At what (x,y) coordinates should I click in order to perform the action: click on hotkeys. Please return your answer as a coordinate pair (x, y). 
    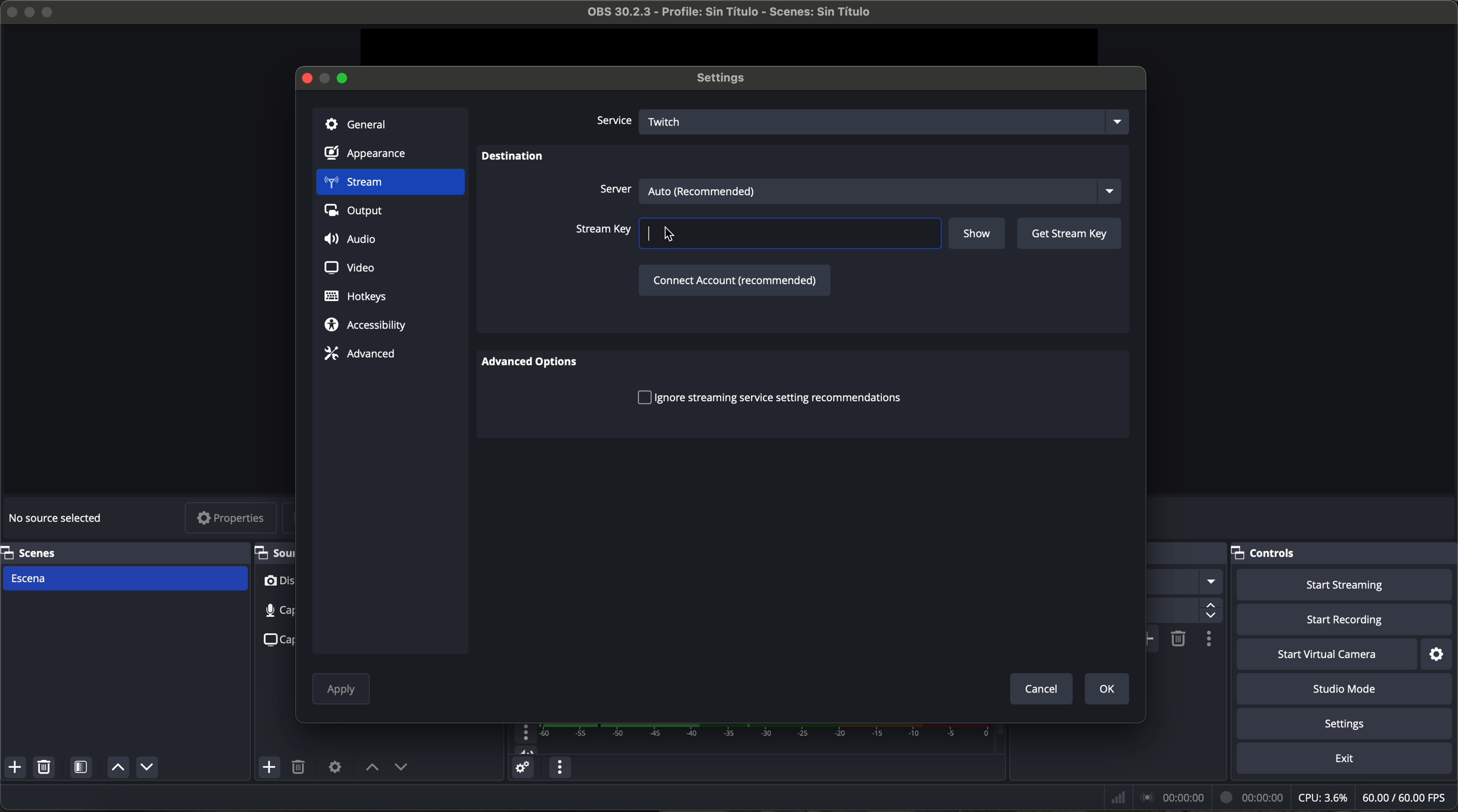
    Looking at the image, I should click on (356, 297).